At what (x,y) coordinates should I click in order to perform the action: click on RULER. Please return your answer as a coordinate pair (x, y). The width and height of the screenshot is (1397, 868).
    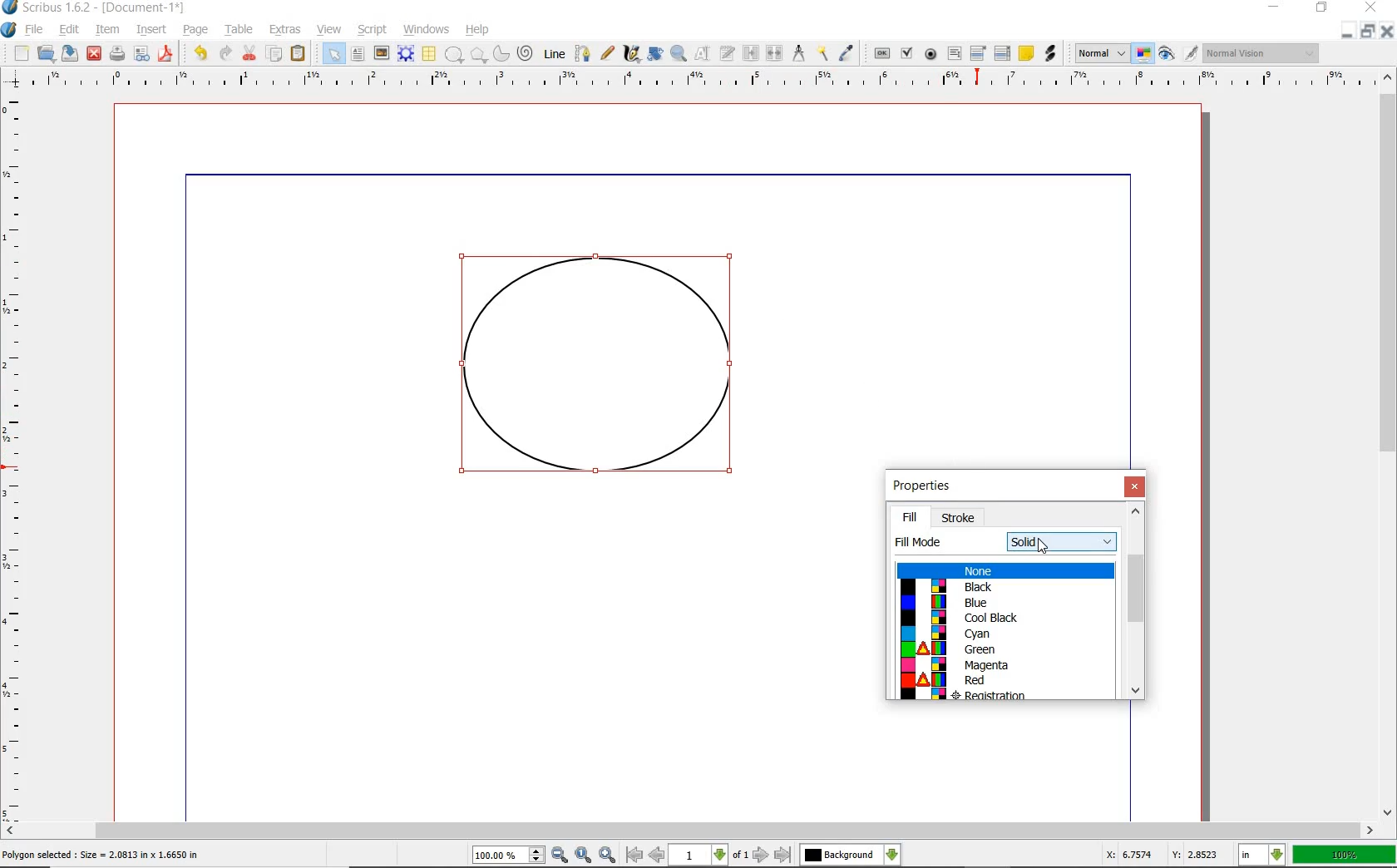
    Looking at the image, I should click on (14, 461).